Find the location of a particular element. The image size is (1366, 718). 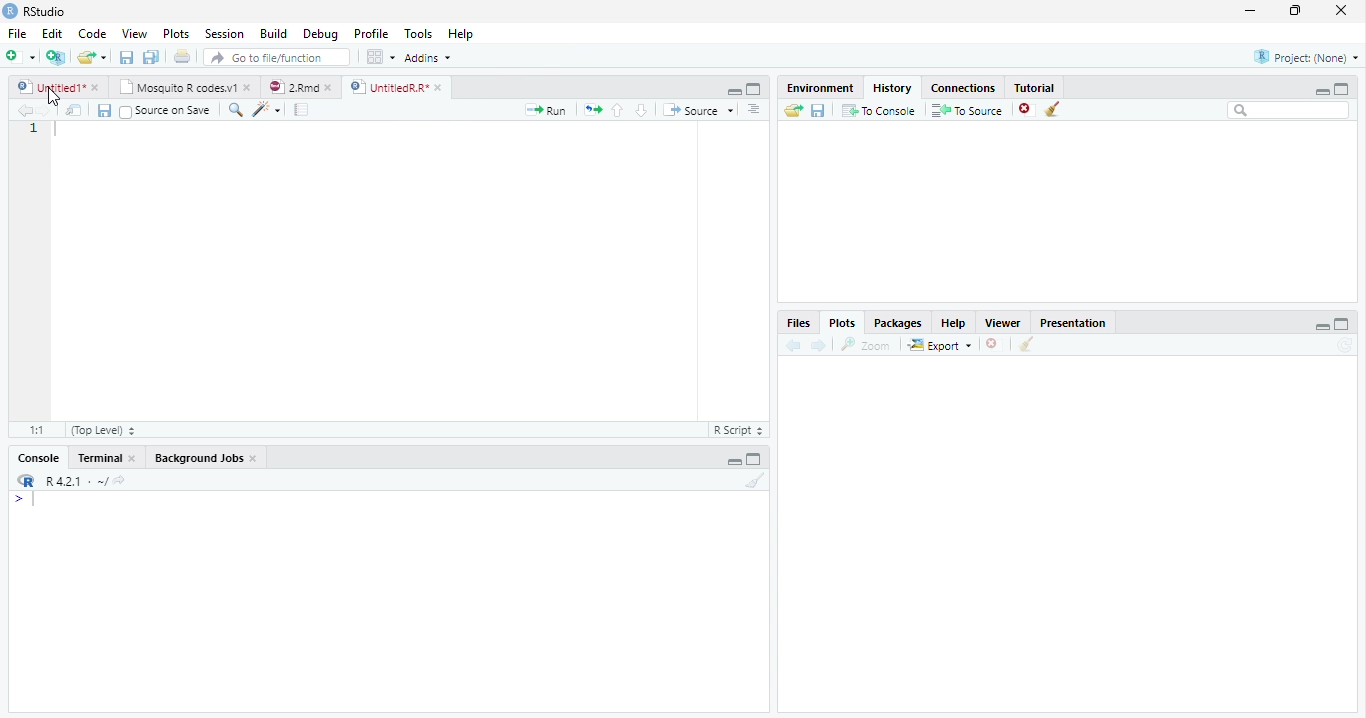

Minimize is located at coordinates (731, 460).